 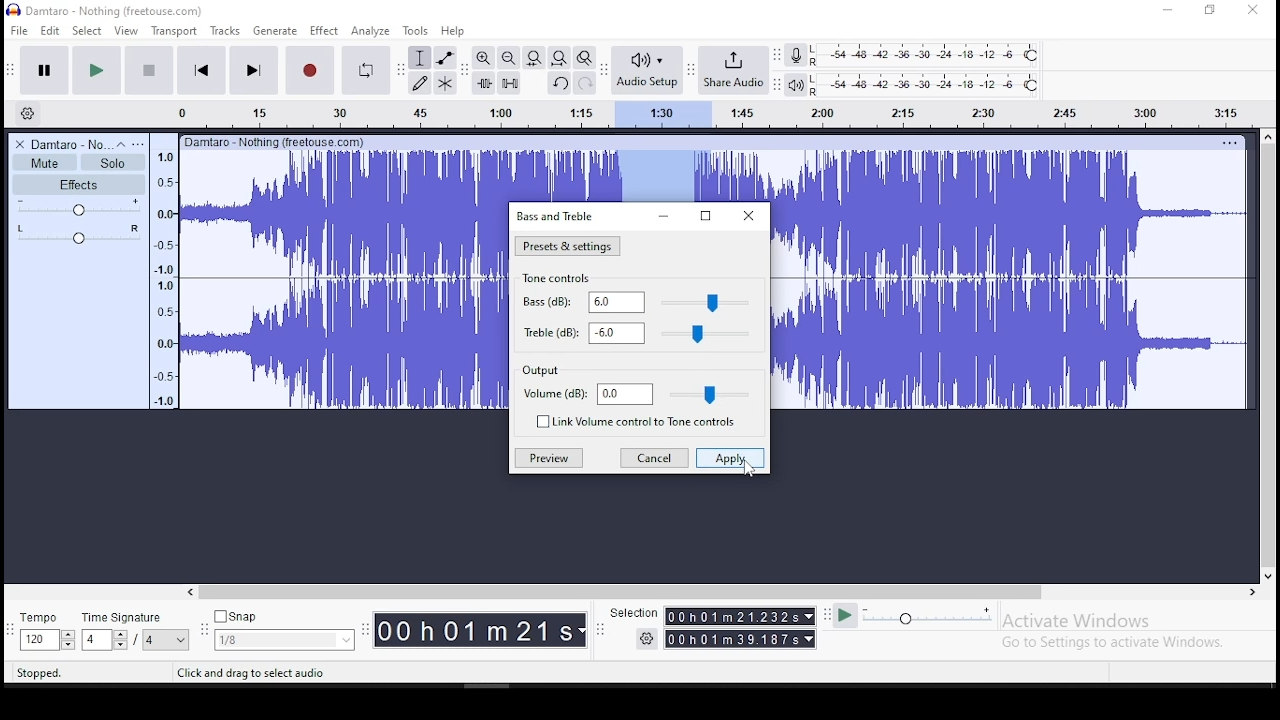 What do you see at coordinates (150, 639) in the screenshot?
I see `/4` at bounding box center [150, 639].